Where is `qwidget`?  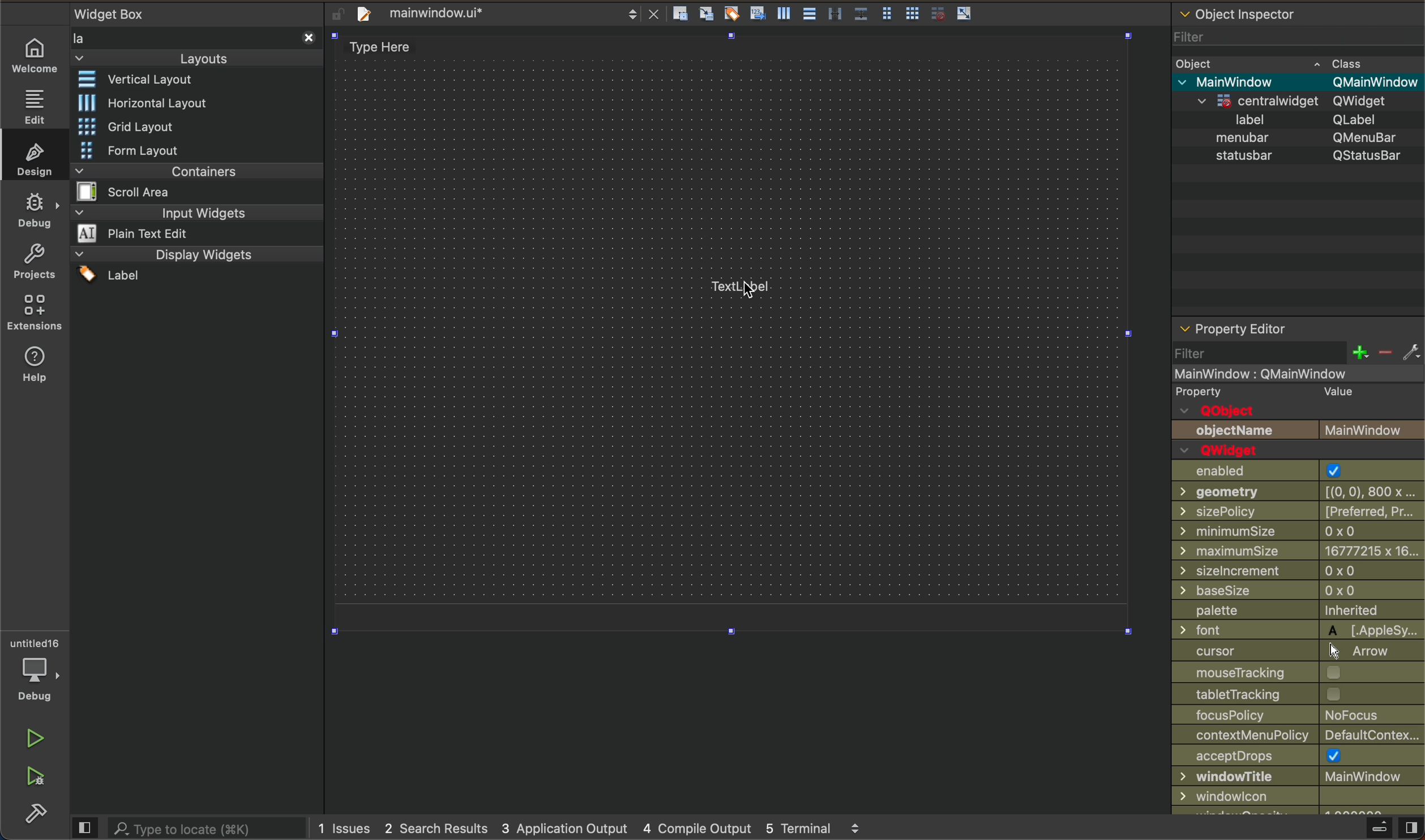 qwidget is located at coordinates (1294, 102).